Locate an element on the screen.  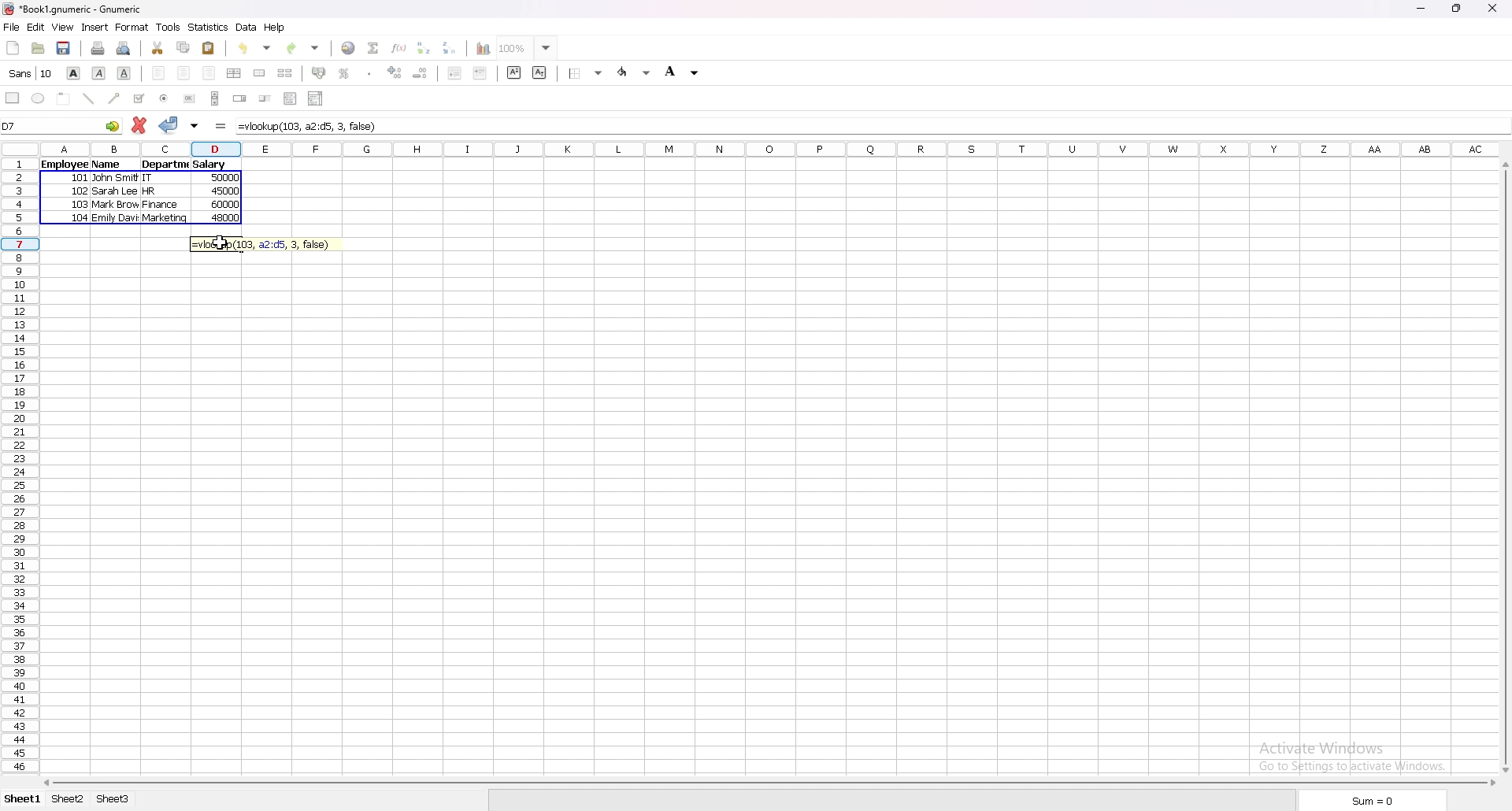
formula is located at coordinates (221, 127).